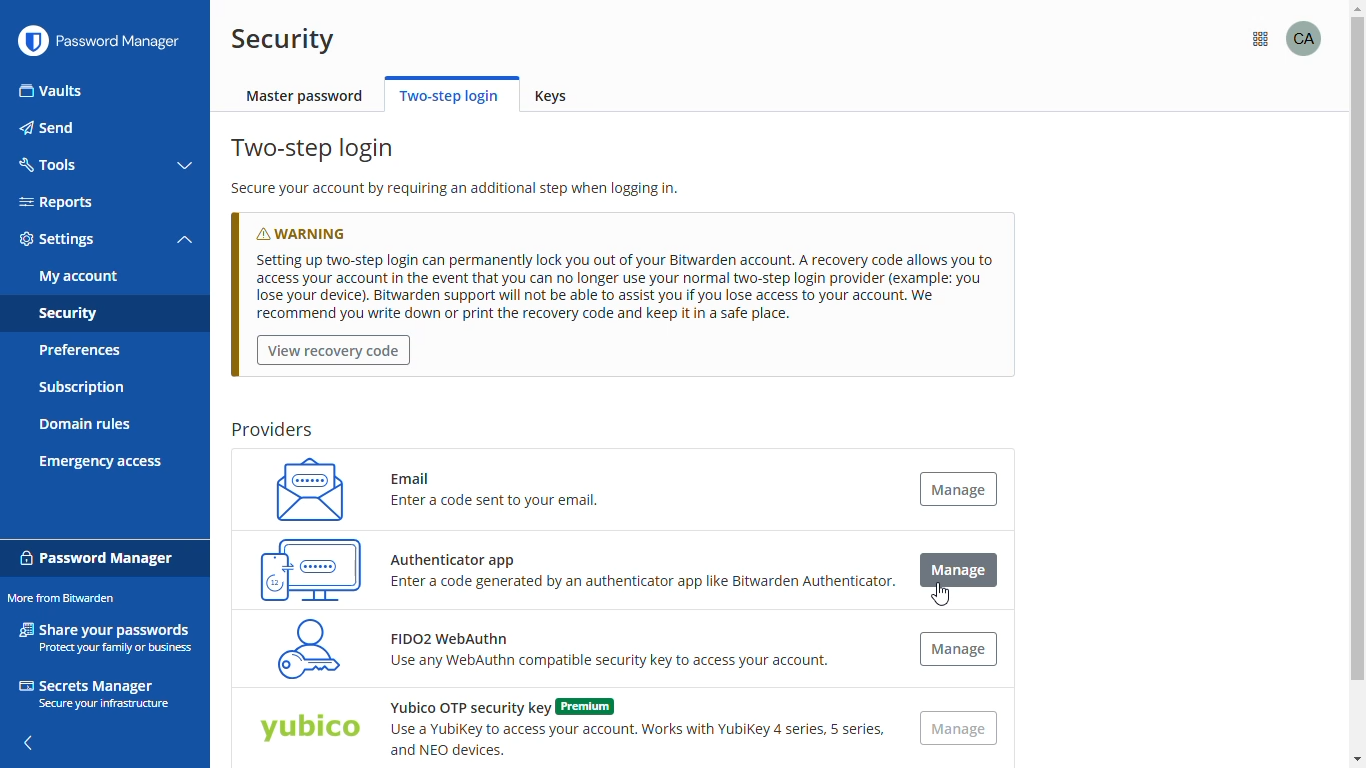  What do you see at coordinates (942, 595) in the screenshot?
I see `cursor` at bounding box center [942, 595].